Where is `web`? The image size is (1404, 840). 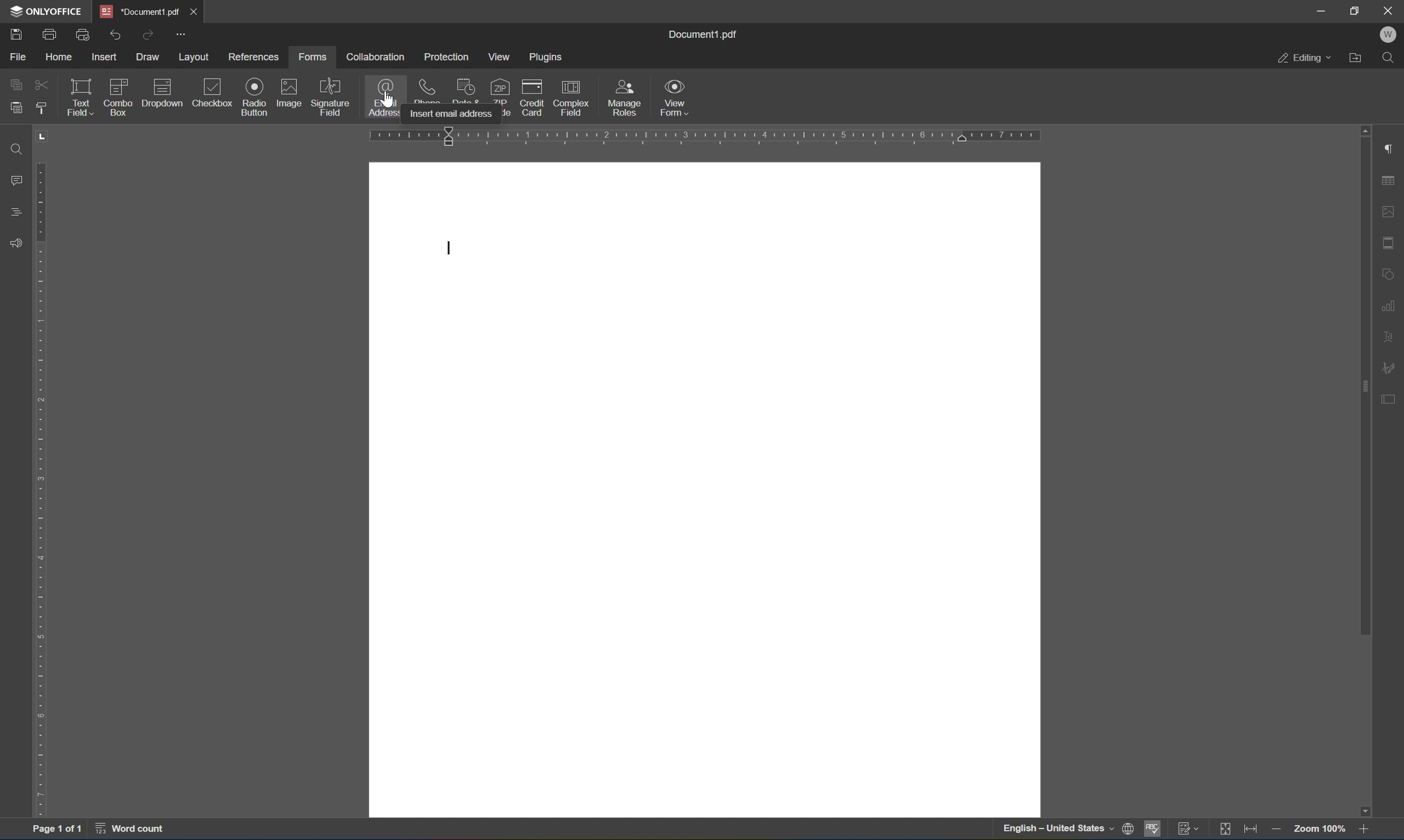 web is located at coordinates (1126, 829).